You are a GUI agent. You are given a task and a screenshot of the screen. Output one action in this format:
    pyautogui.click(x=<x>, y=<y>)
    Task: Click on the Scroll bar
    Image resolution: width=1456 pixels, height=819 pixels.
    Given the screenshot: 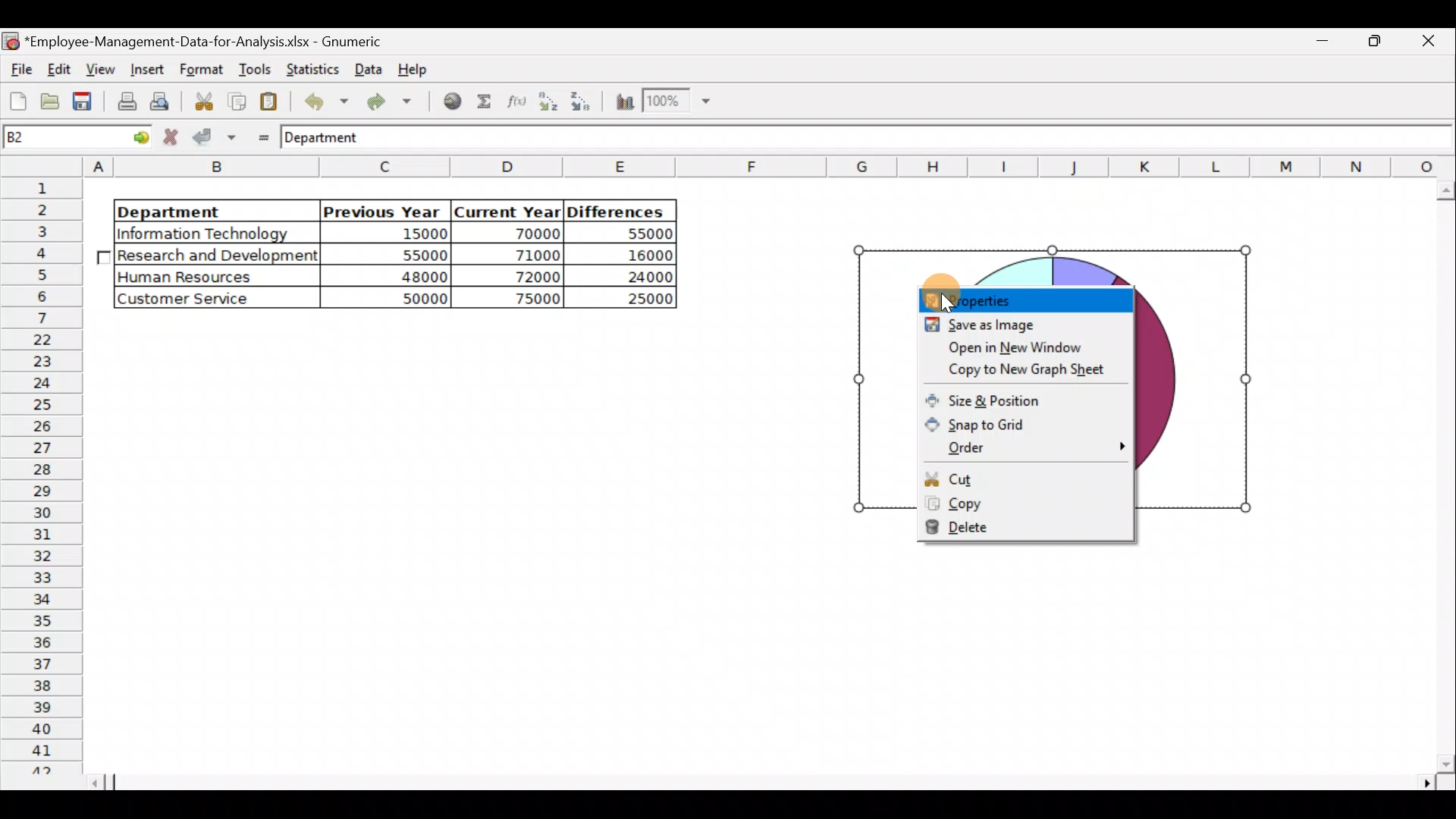 What is the action you would take?
    pyautogui.click(x=773, y=783)
    